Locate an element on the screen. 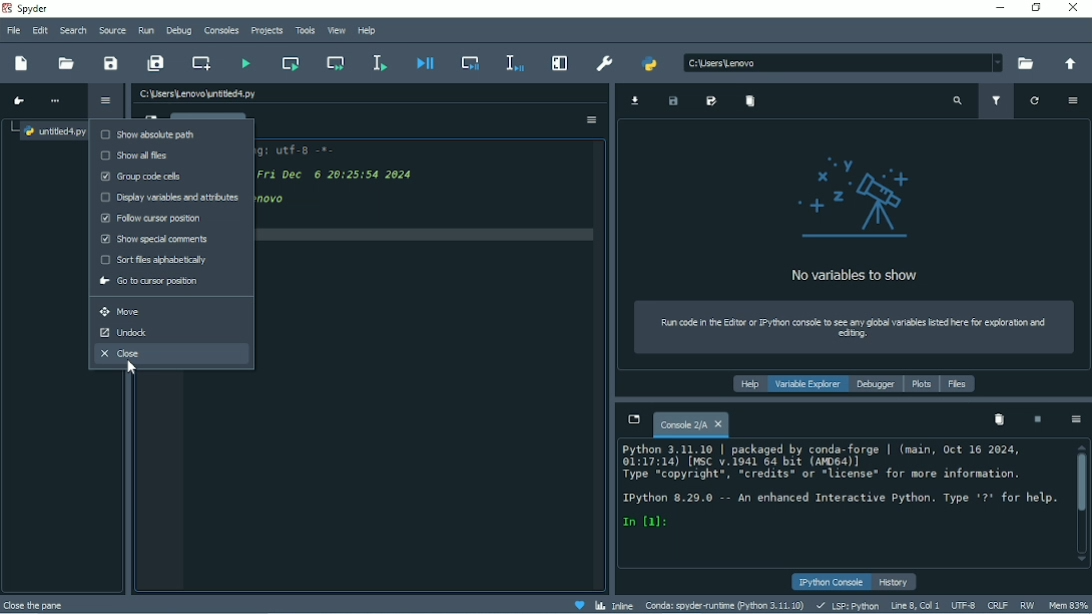 Image resolution: width=1092 pixels, height=614 pixels. Help is located at coordinates (747, 384).